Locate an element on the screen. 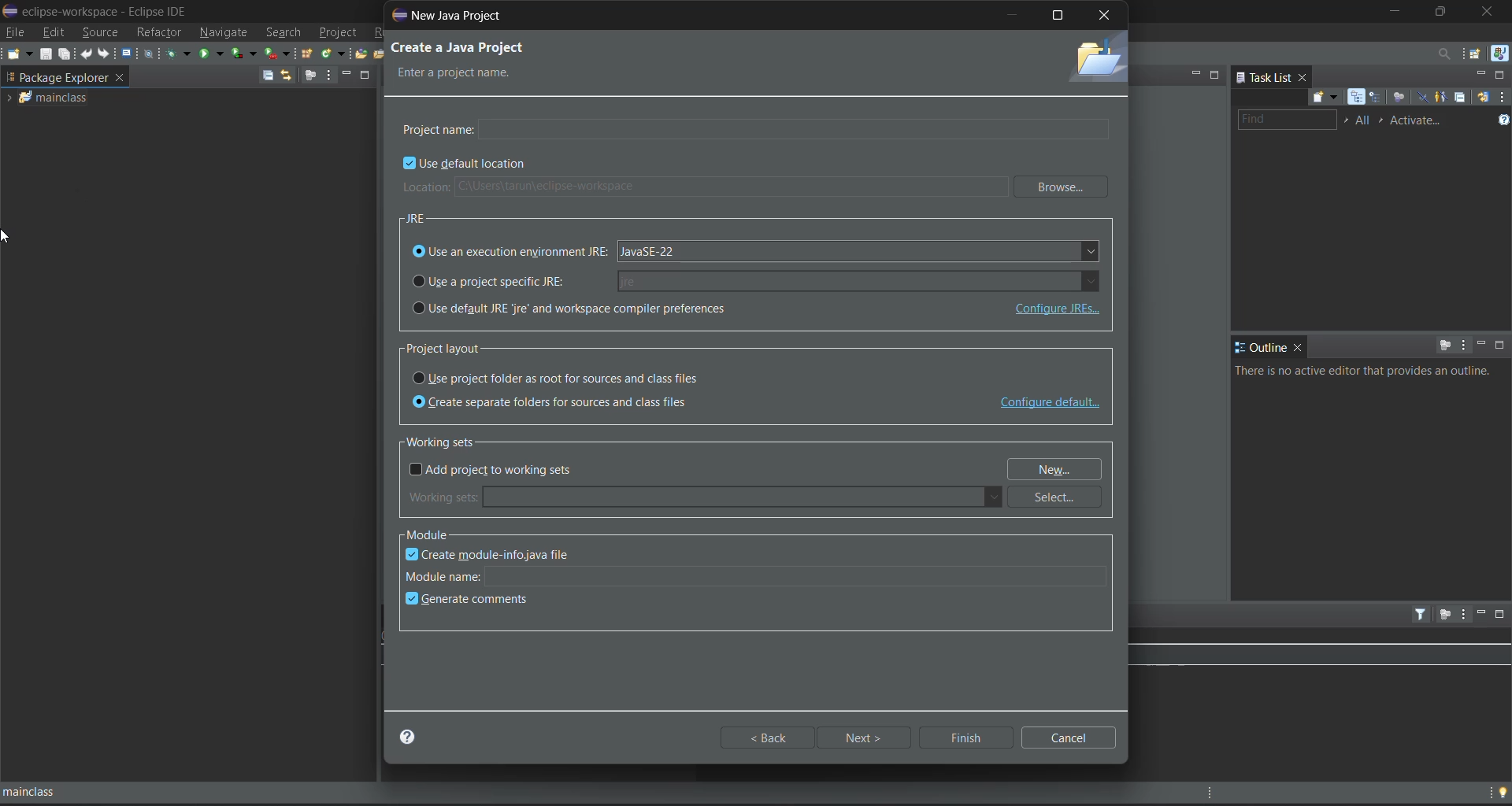 This screenshot has height=806, width=1512. redo is located at coordinates (105, 53).